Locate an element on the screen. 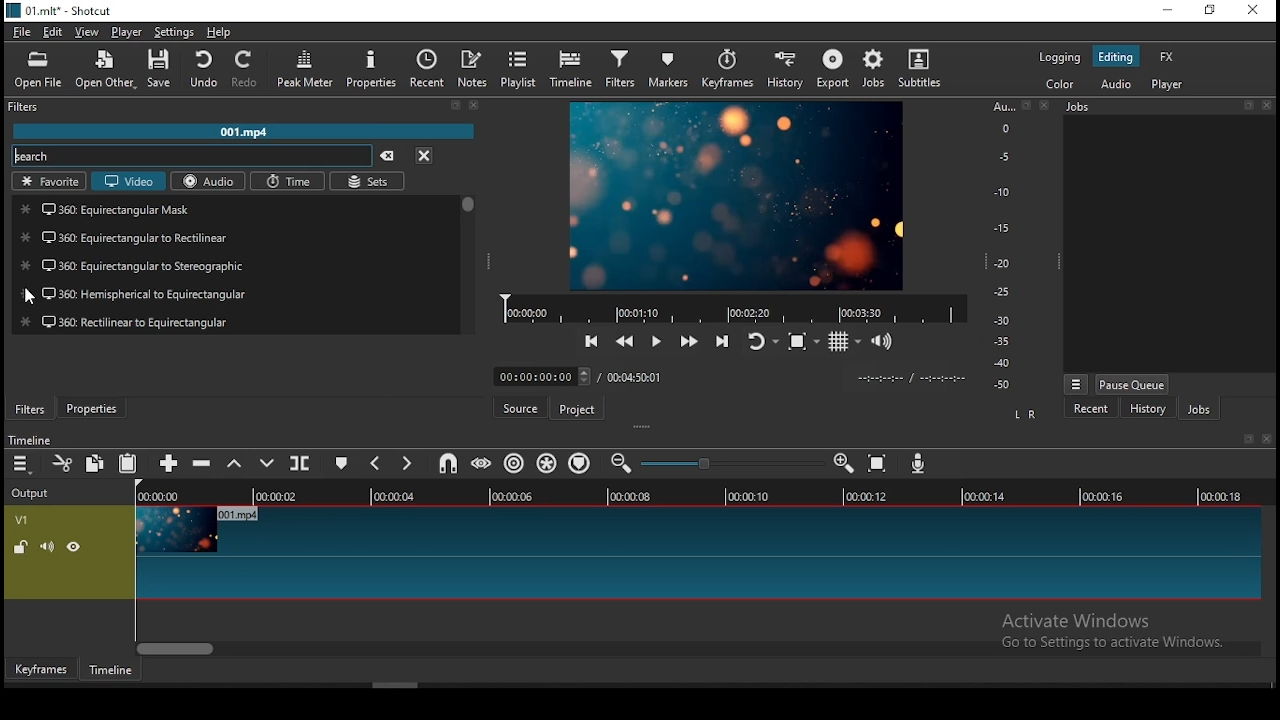 Image resolution: width=1280 pixels, height=720 pixels. notes is located at coordinates (472, 68).